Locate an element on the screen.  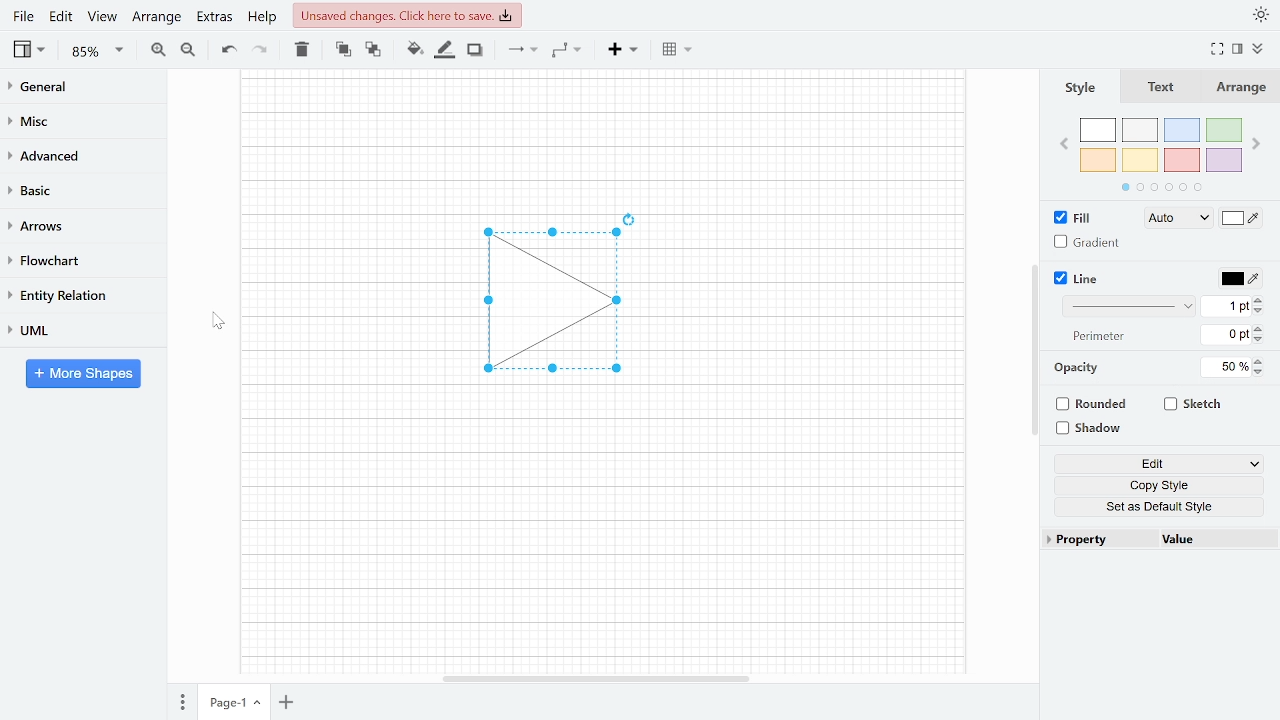
help is located at coordinates (264, 16).